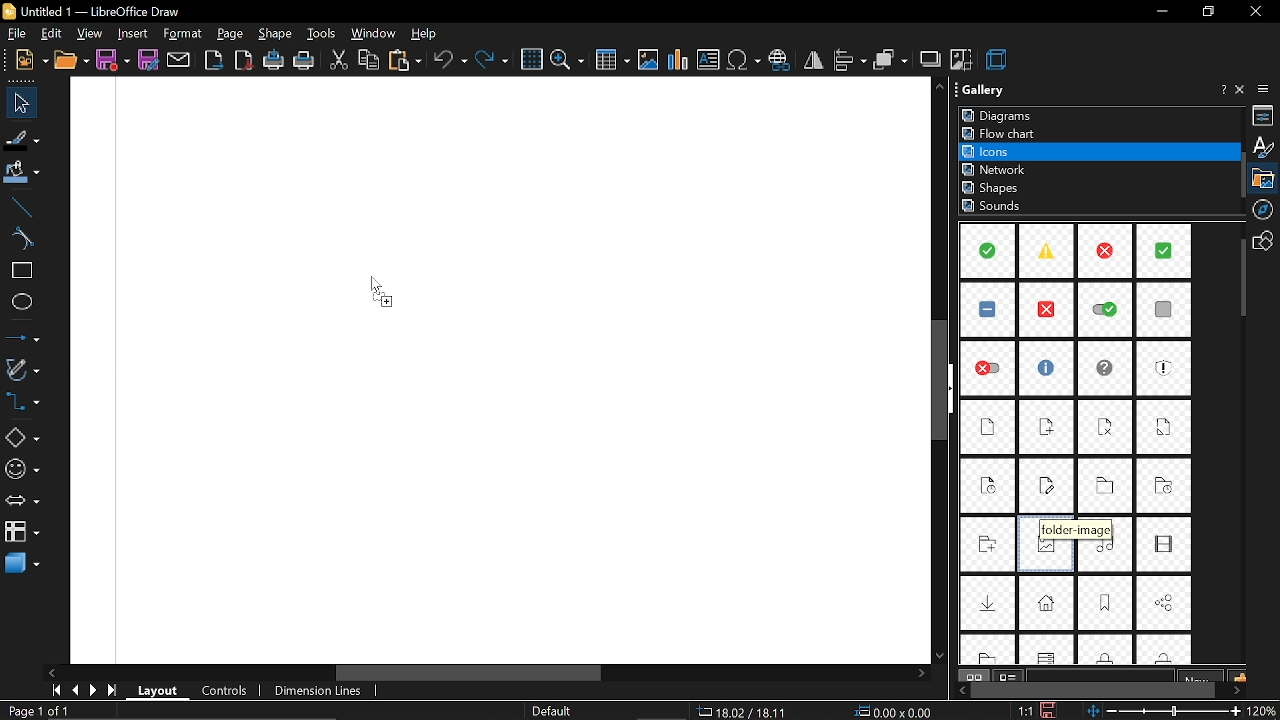 This screenshot has height=720, width=1280. What do you see at coordinates (273, 61) in the screenshot?
I see `print directly` at bounding box center [273, 61].